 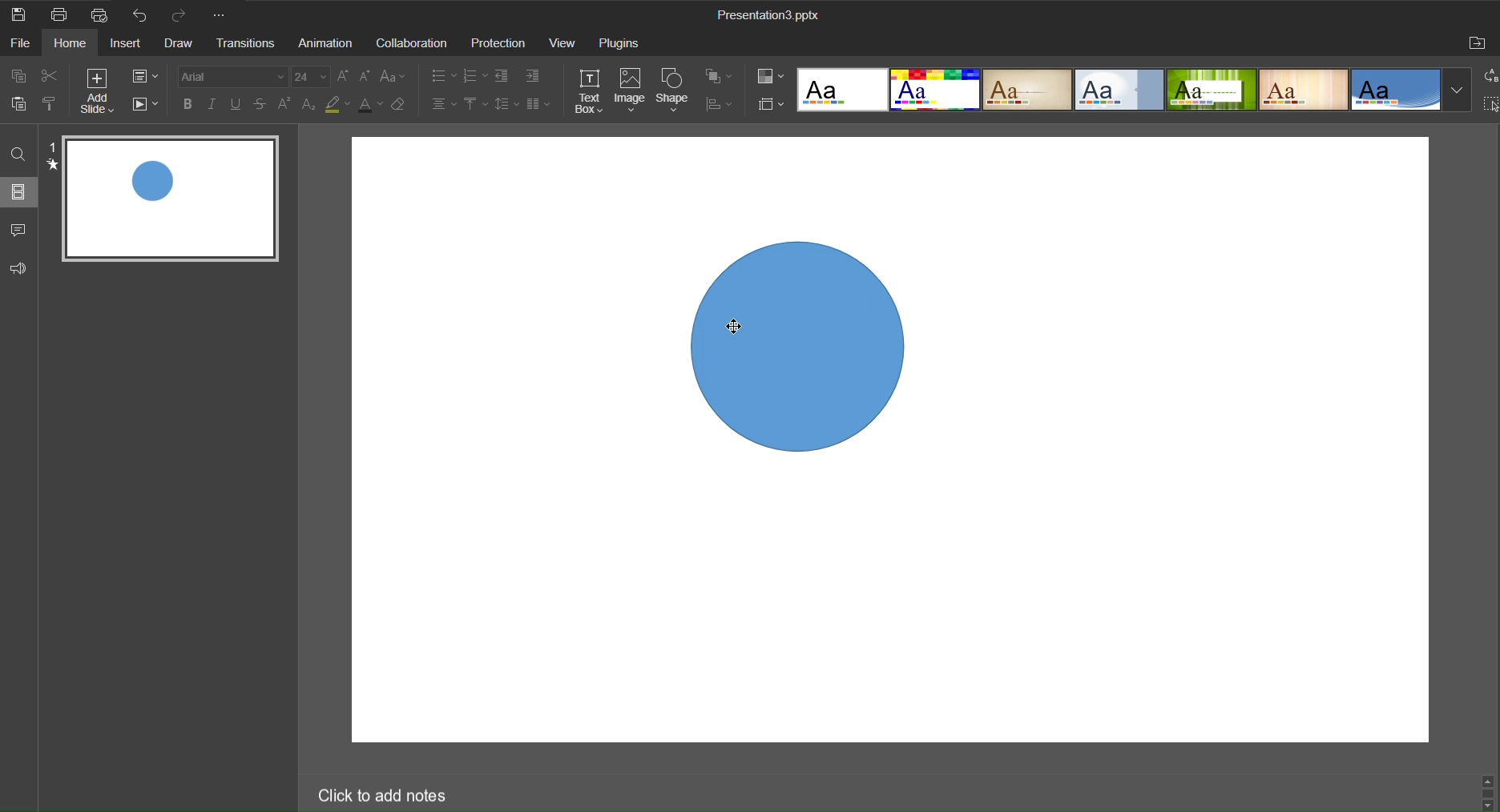 What do you see at coordinates (238, 106) in the screenshot?
I see `Underline` at bounding box center [238, 106].